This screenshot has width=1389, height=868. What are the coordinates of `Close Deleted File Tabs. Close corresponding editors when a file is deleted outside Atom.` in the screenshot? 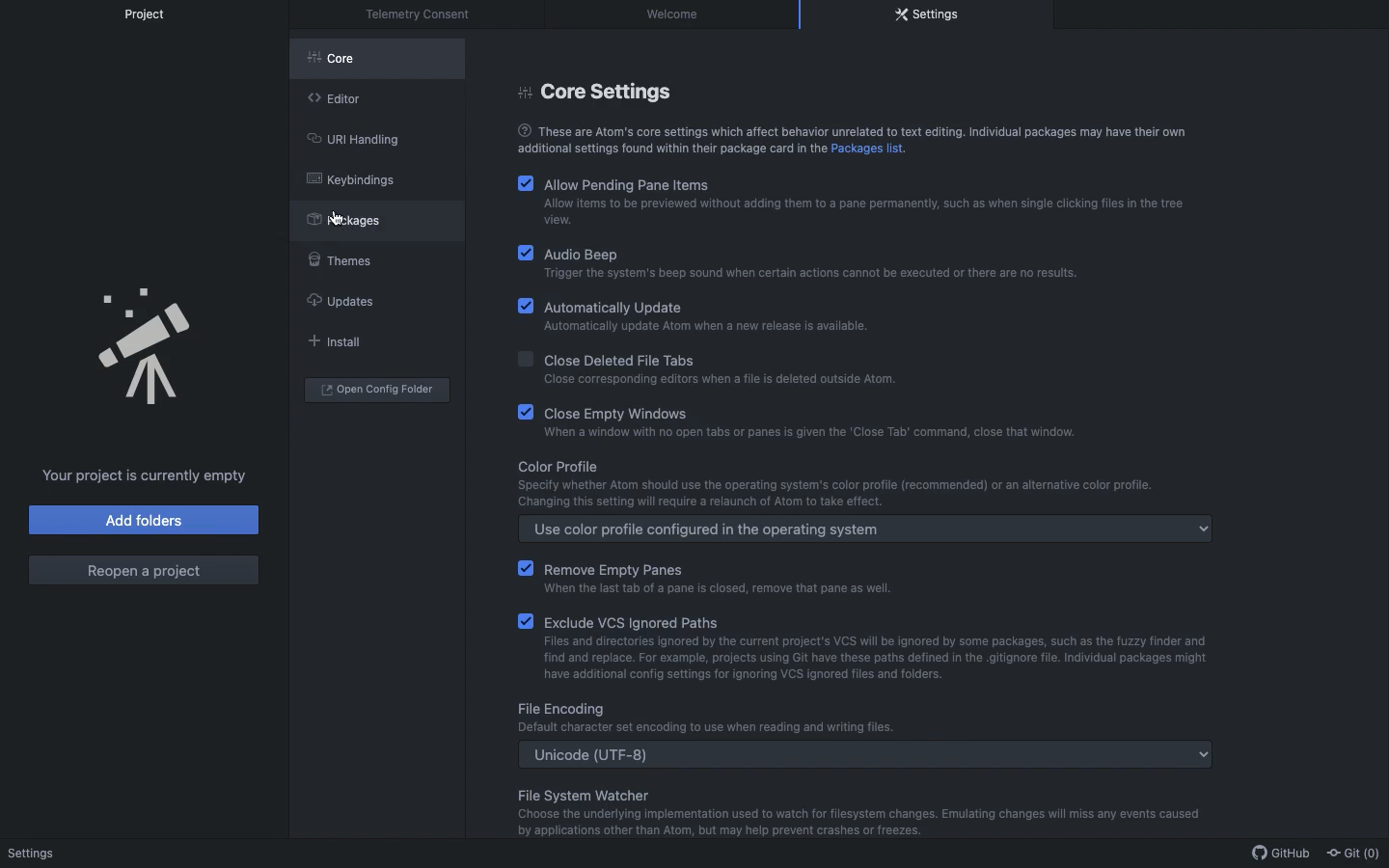 It's located at (771, 369).